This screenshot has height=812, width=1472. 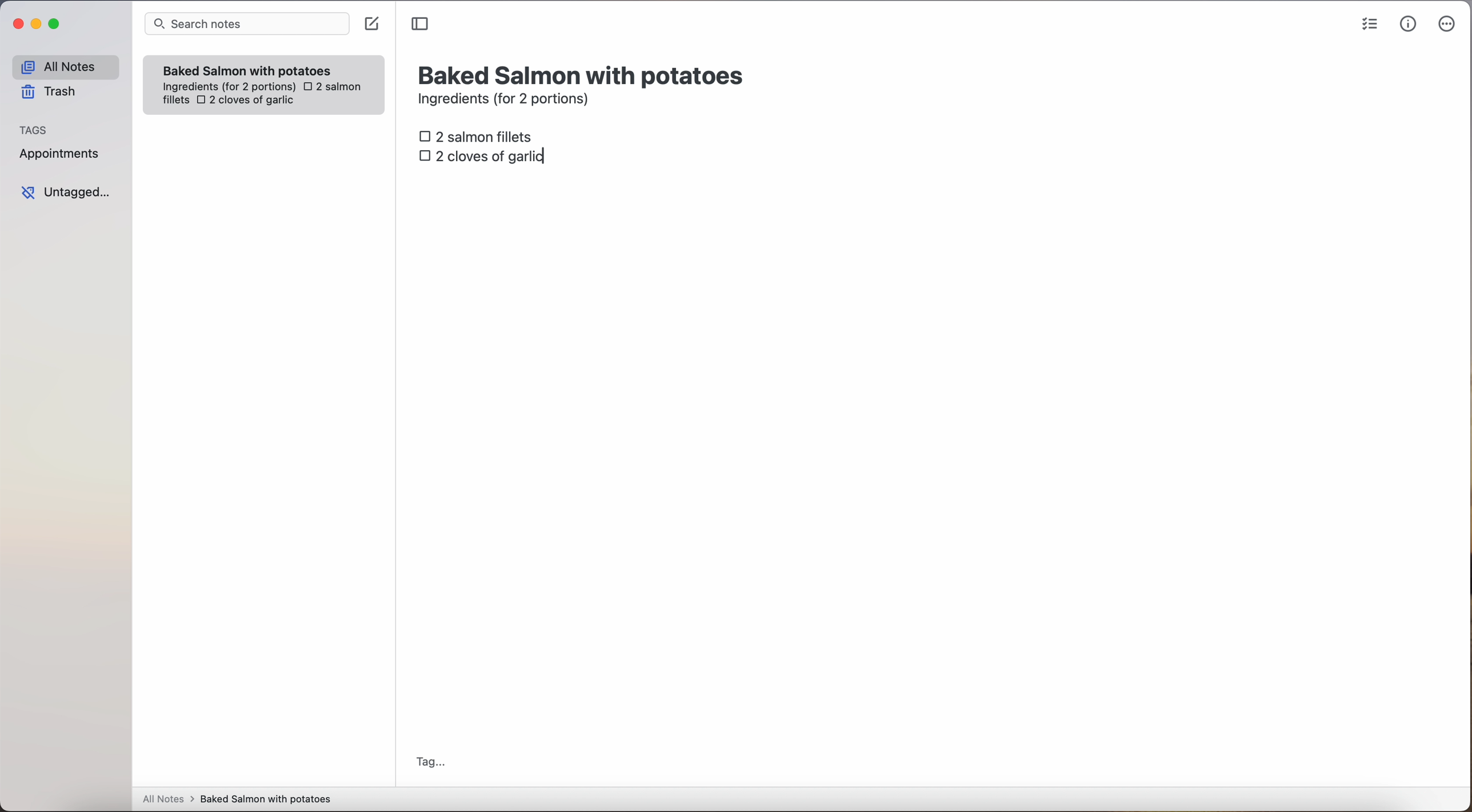 What do you see at coordinates (65, 66) in the screenshot?
I see `all notes` at bounding box center [65, 66].